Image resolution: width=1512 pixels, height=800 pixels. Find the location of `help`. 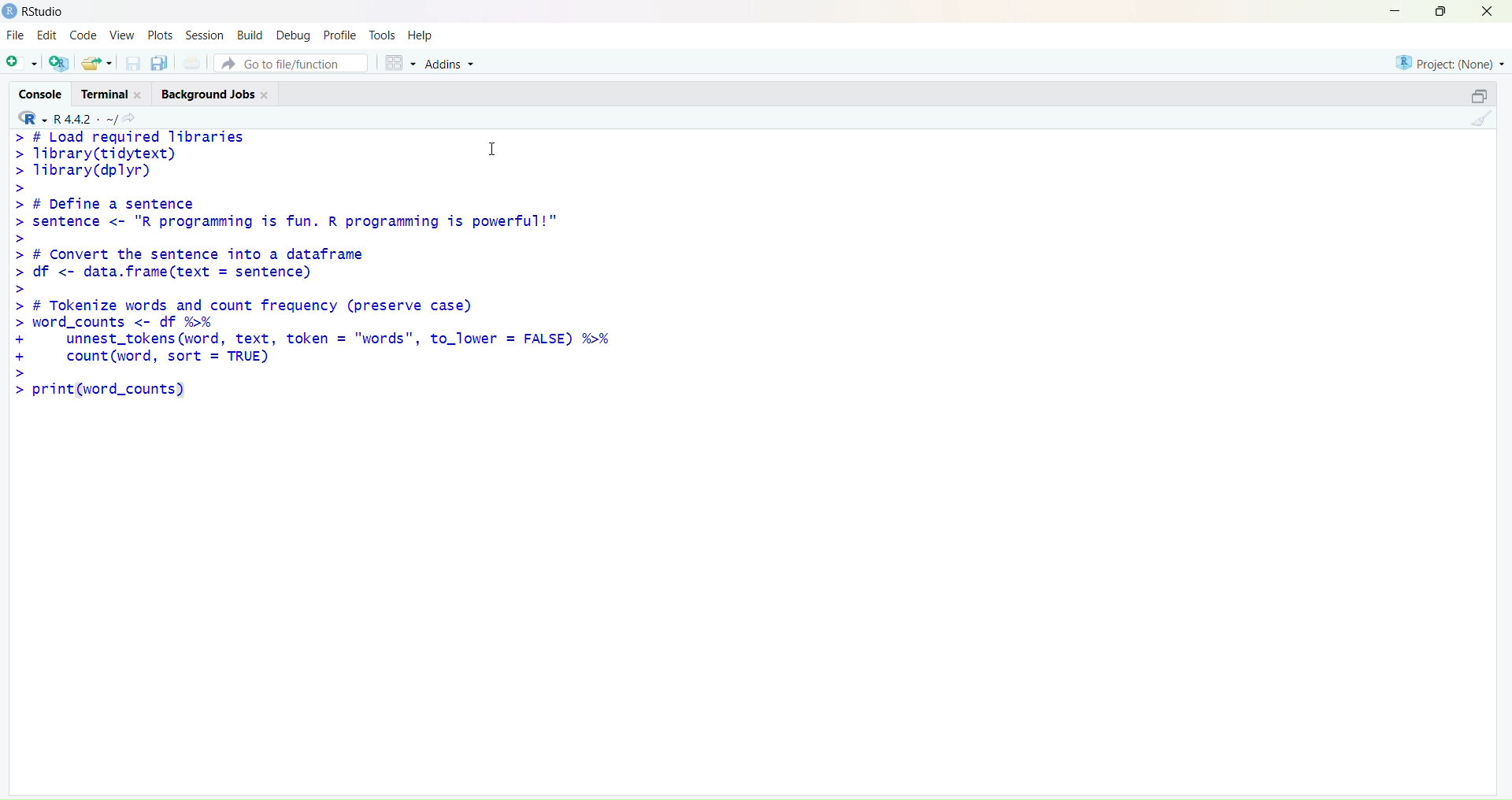

help is located at coordinates (421, 37).